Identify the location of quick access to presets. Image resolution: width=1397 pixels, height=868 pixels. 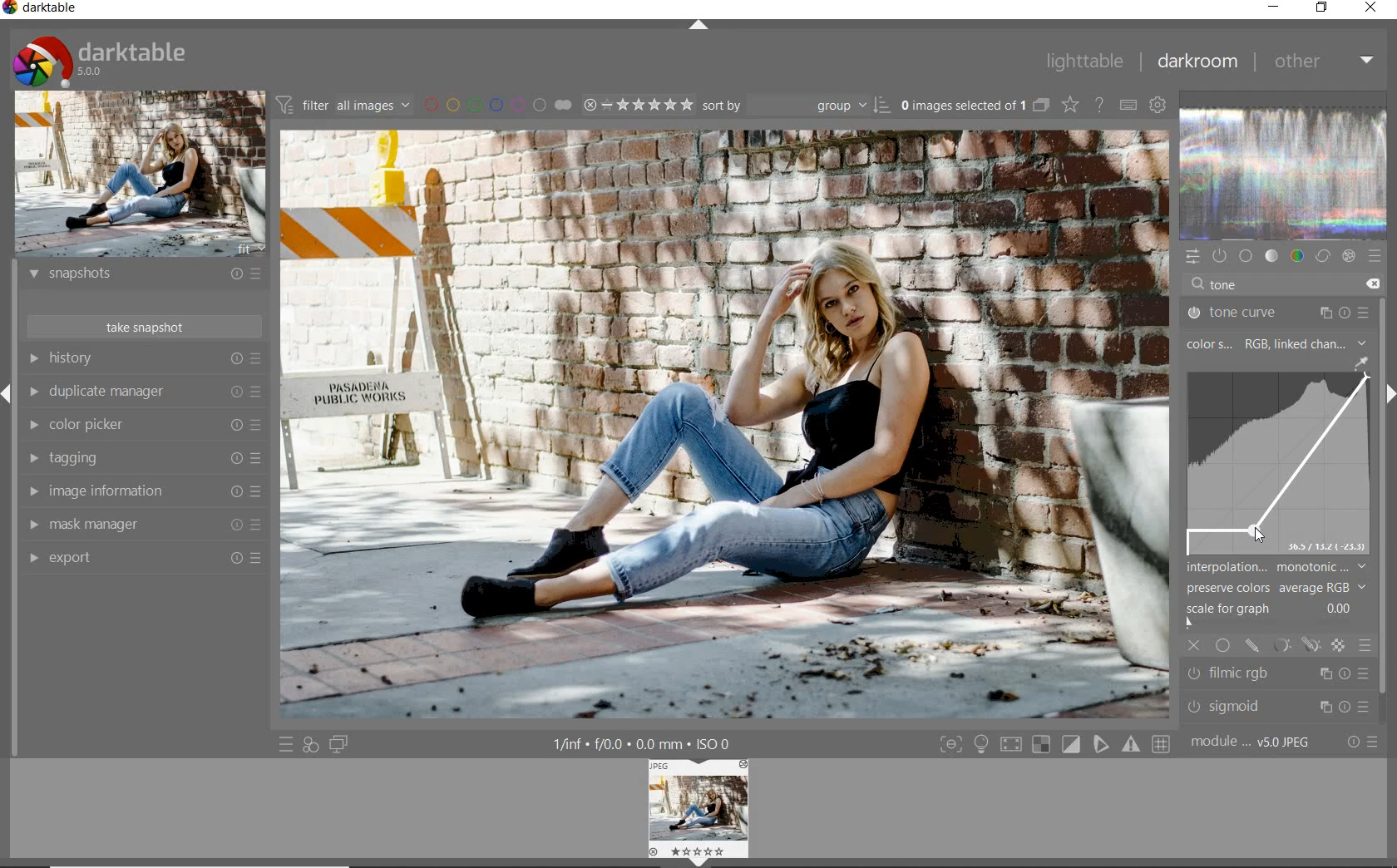
(286, 744).